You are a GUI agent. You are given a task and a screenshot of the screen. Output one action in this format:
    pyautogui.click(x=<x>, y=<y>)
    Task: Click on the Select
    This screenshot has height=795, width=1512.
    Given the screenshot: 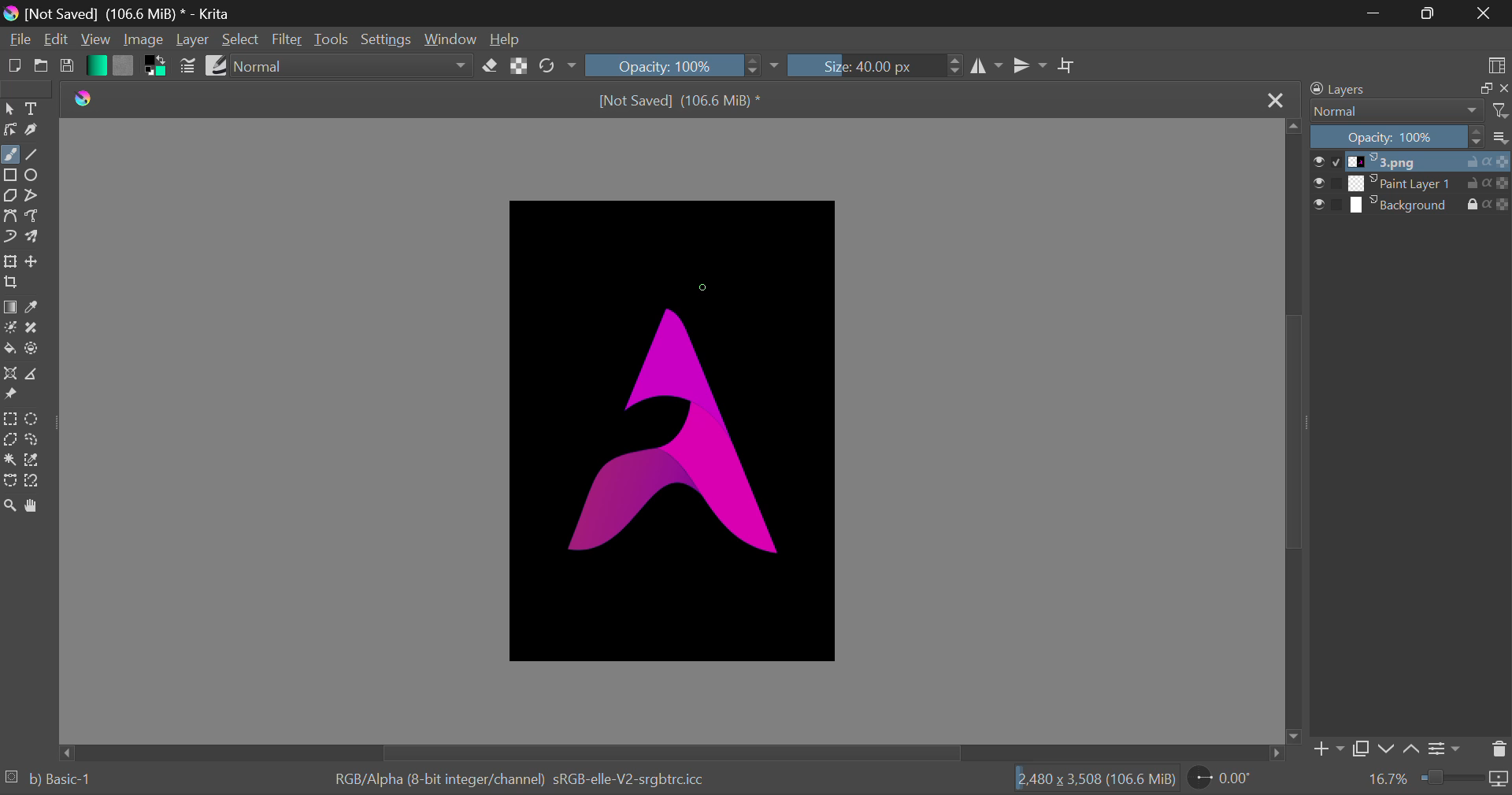 What is the action you would take?
    pyautogui.click(x=9, y=110)
    